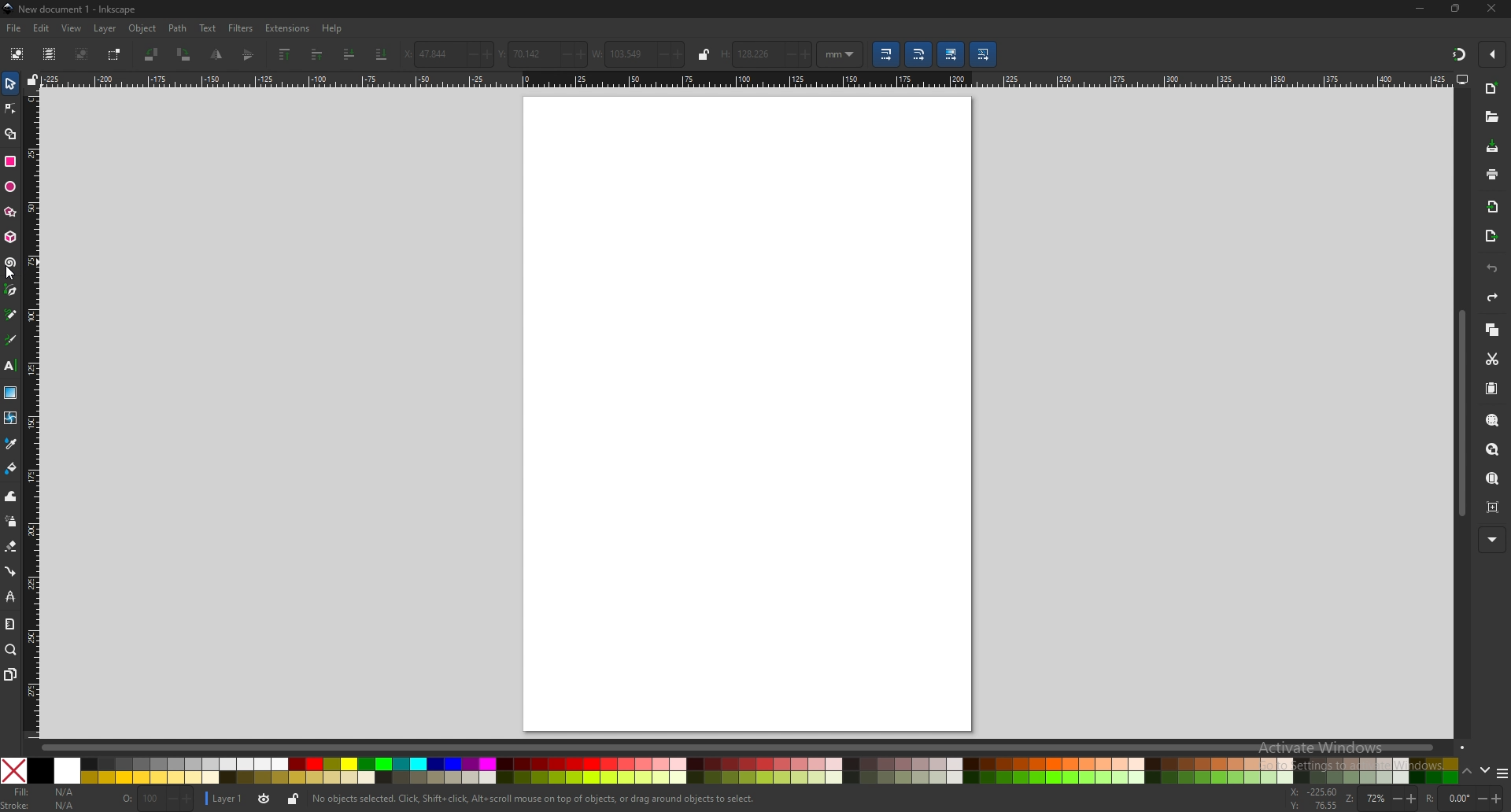  I want to click on spiral, so click(11, 263).